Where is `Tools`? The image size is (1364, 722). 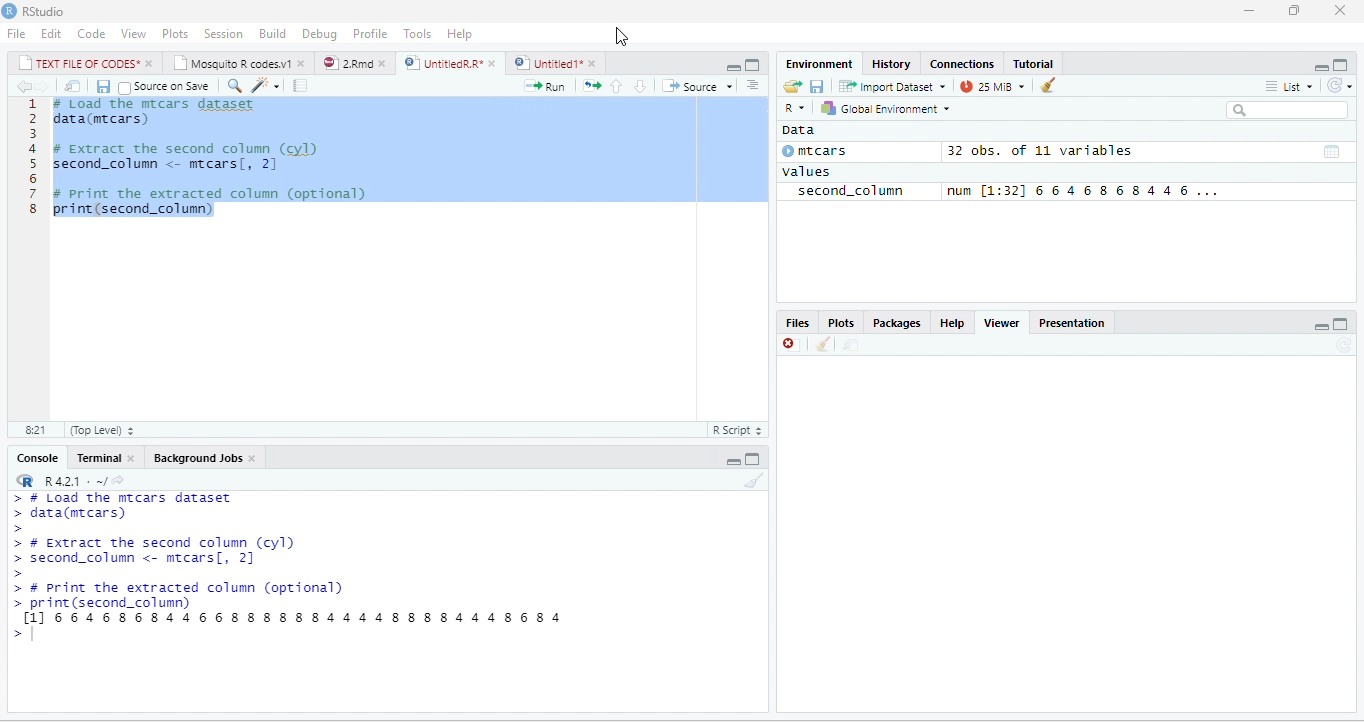
Tools is located at coordinates (418, 32).